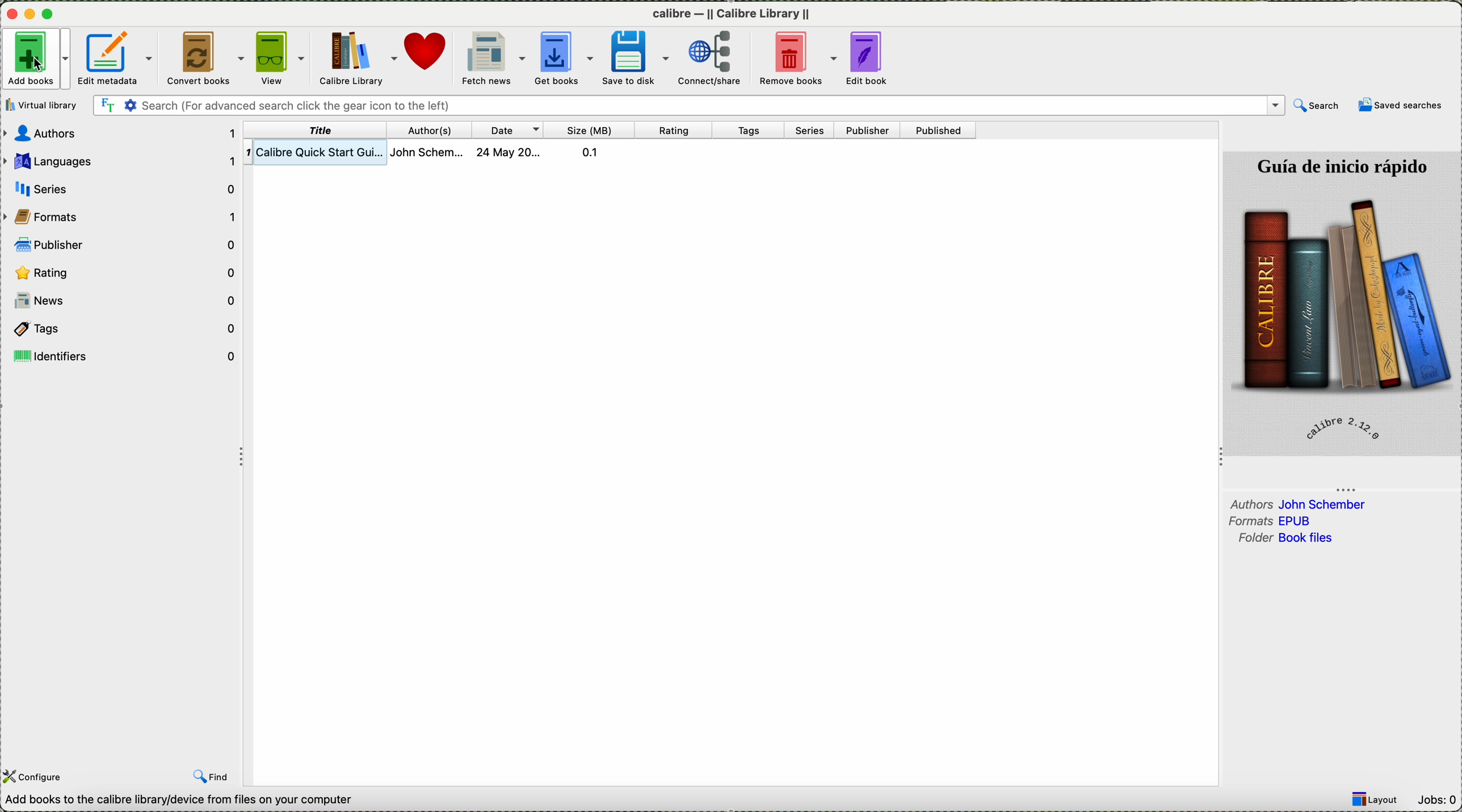 Image resolution: width=1462 pixels, height=812 pixels. Describe the element at coordinates (42, 106) in the screenshot. I see `virtual library` at that location.